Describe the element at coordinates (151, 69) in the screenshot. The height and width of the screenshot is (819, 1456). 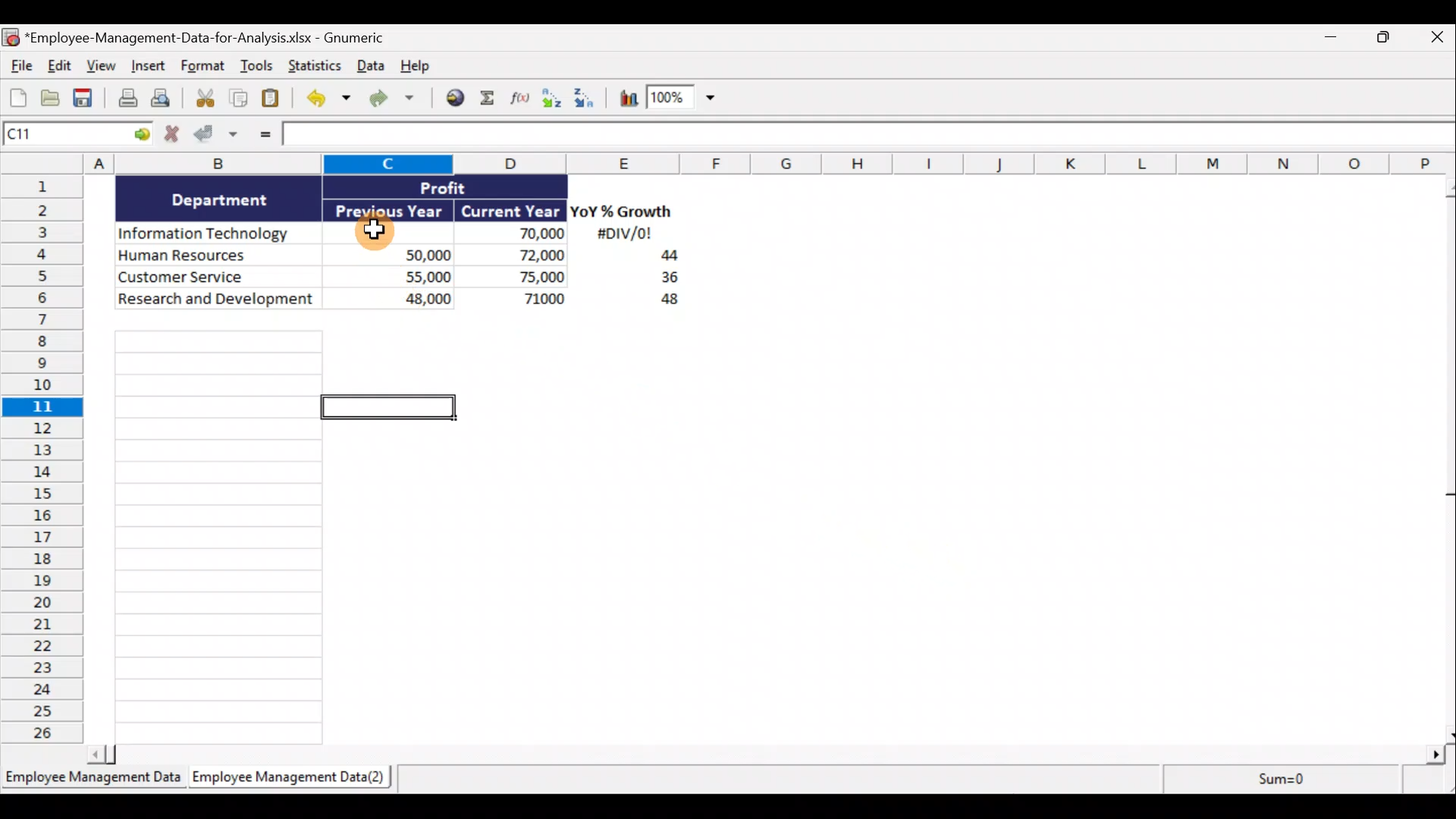
I see `Insert` at that location.